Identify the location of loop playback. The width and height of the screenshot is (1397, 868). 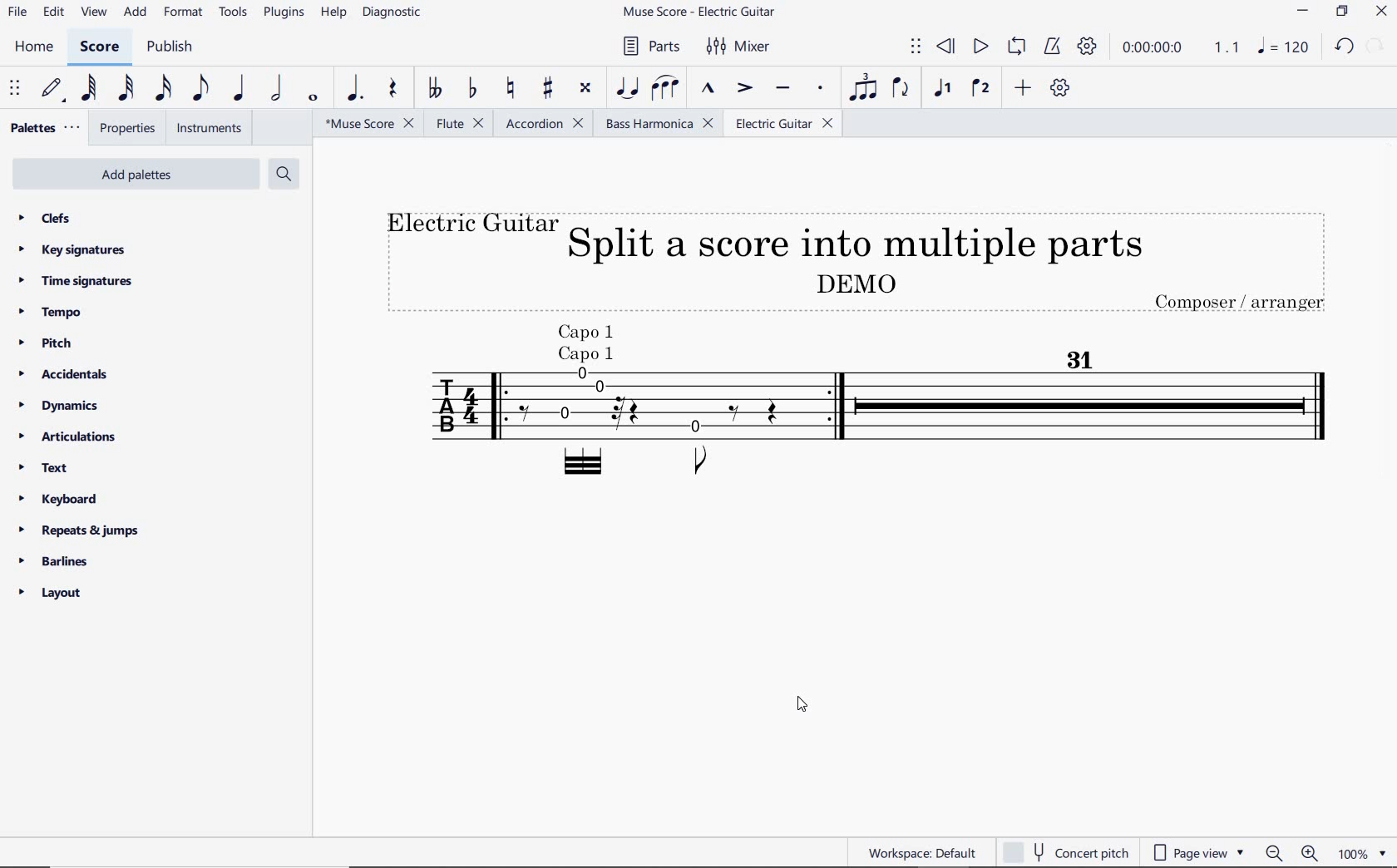
(1016, 48).